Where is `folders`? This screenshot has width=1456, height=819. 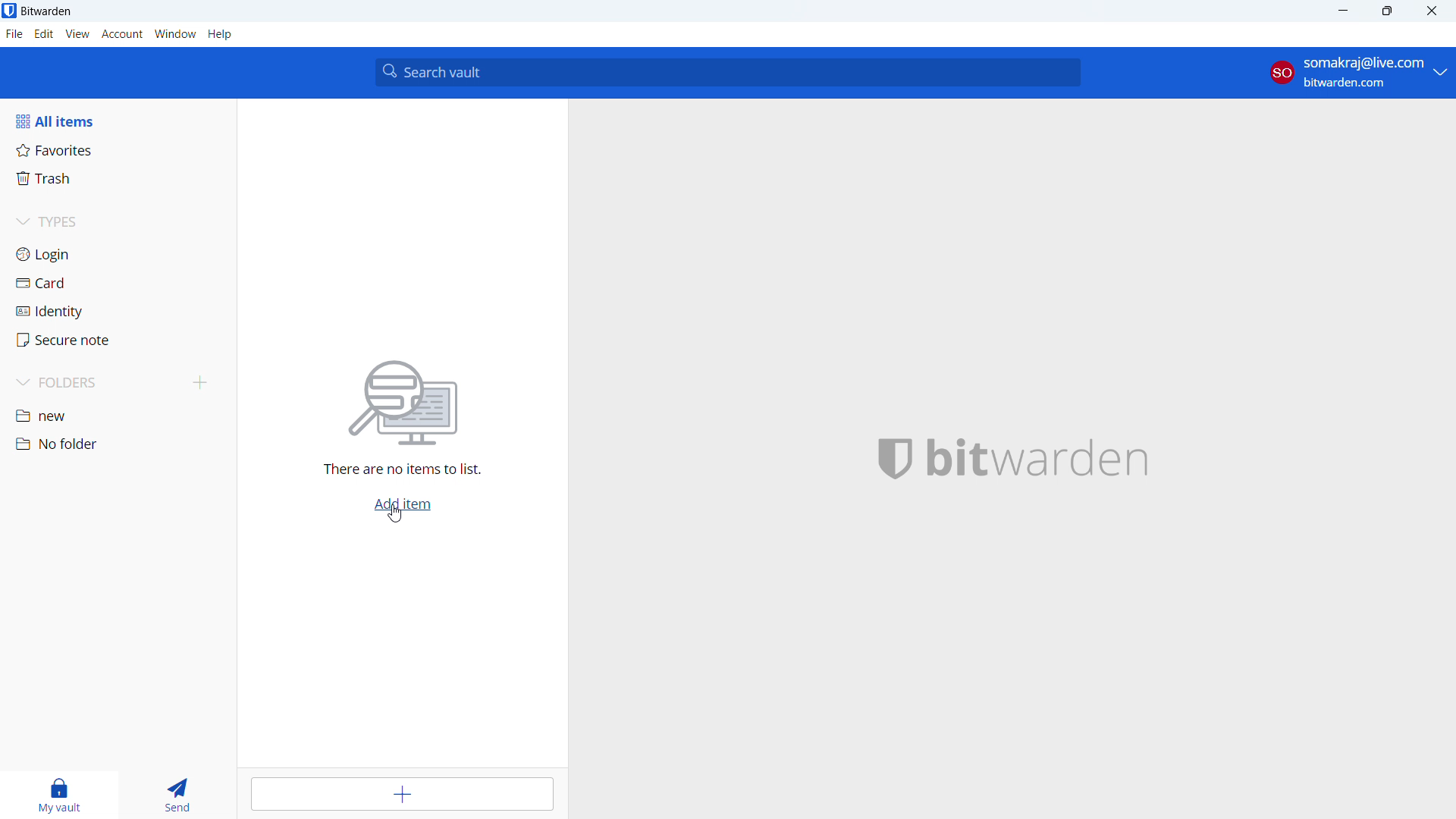
folders is located at coordinates (96, 383).